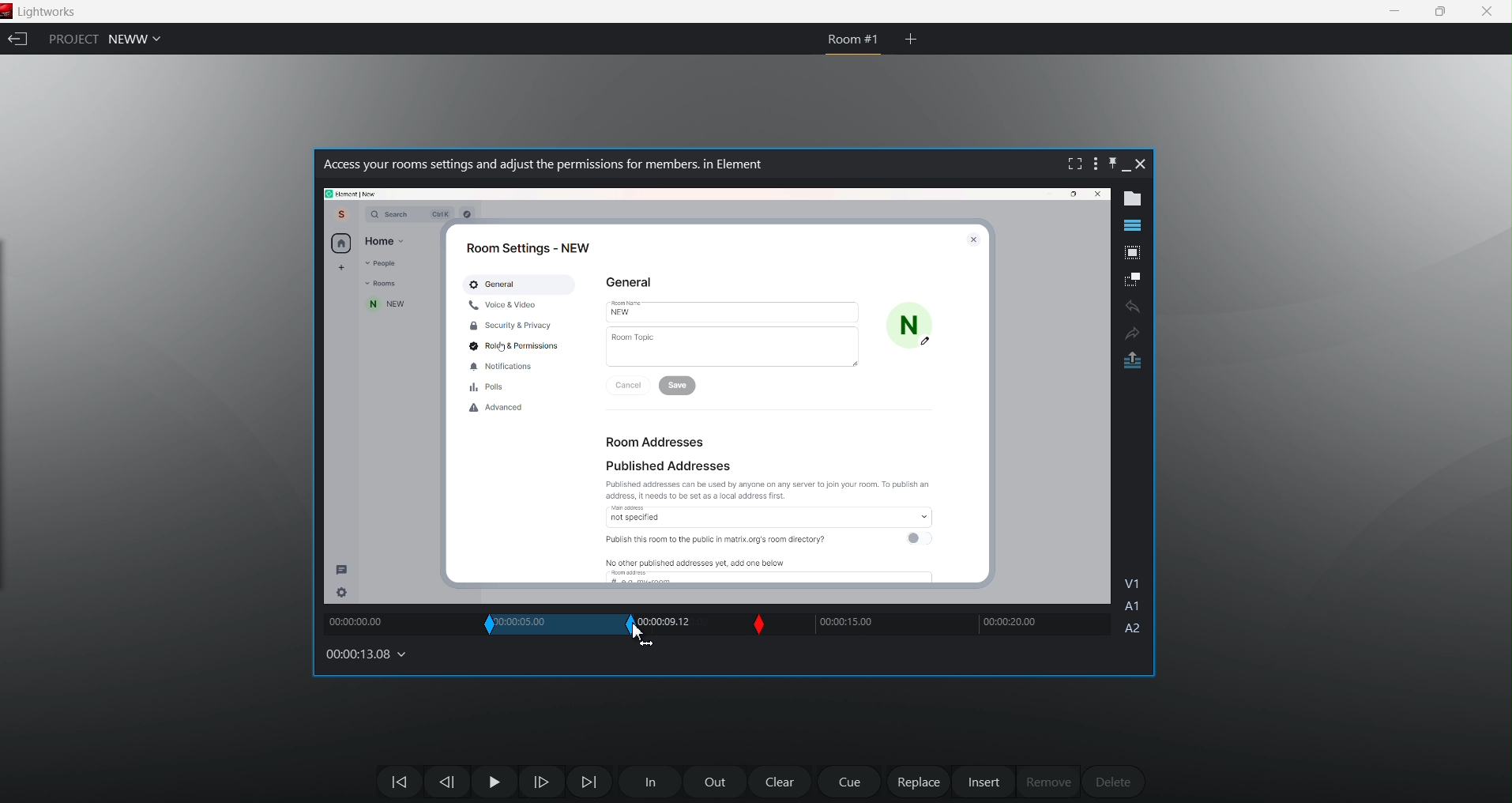 The height and width of the screenshot is (803, 1512). I want to click on In, so click(649, 780).